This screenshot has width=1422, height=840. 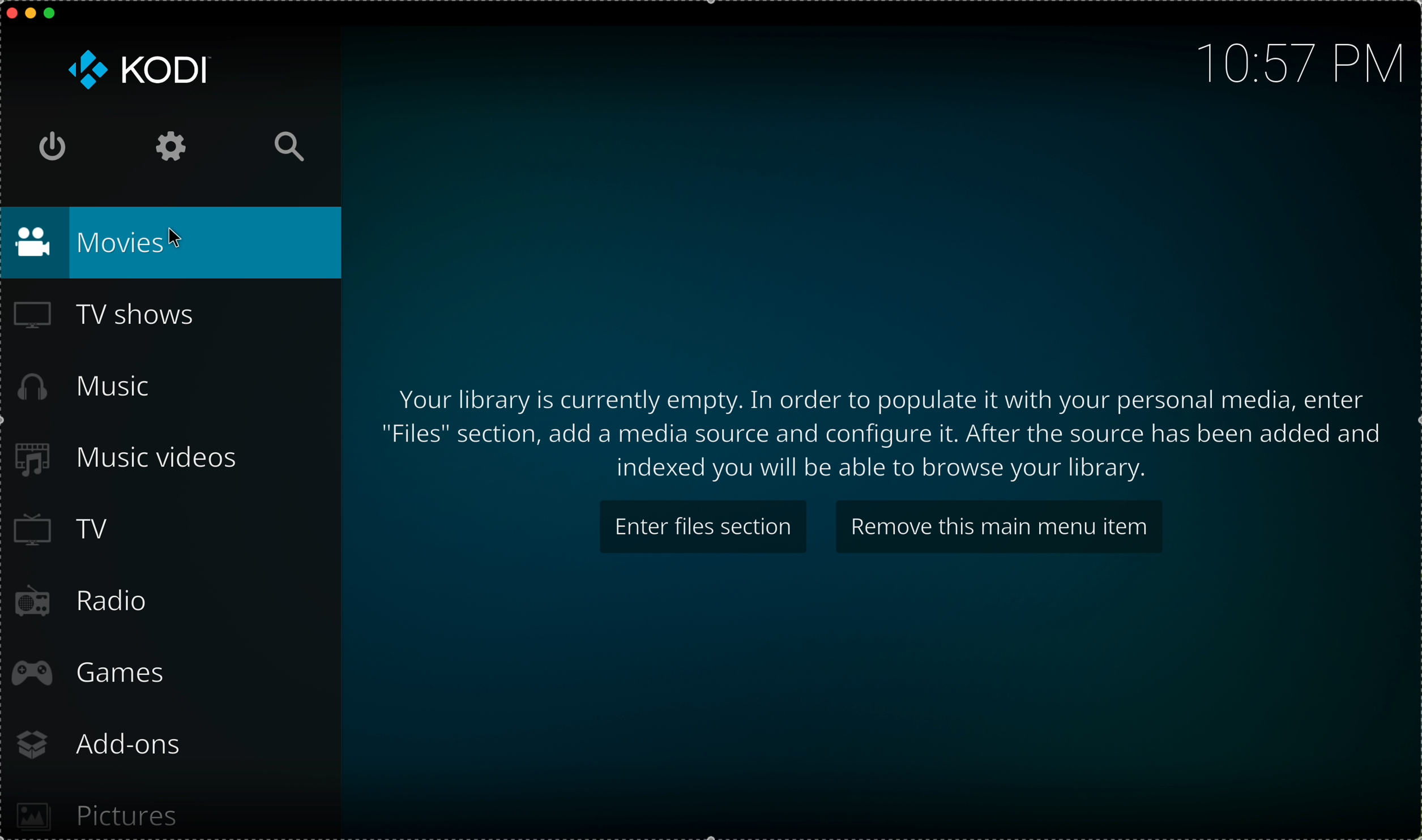 I want to click on TV shows, so click(x=104, y=318).